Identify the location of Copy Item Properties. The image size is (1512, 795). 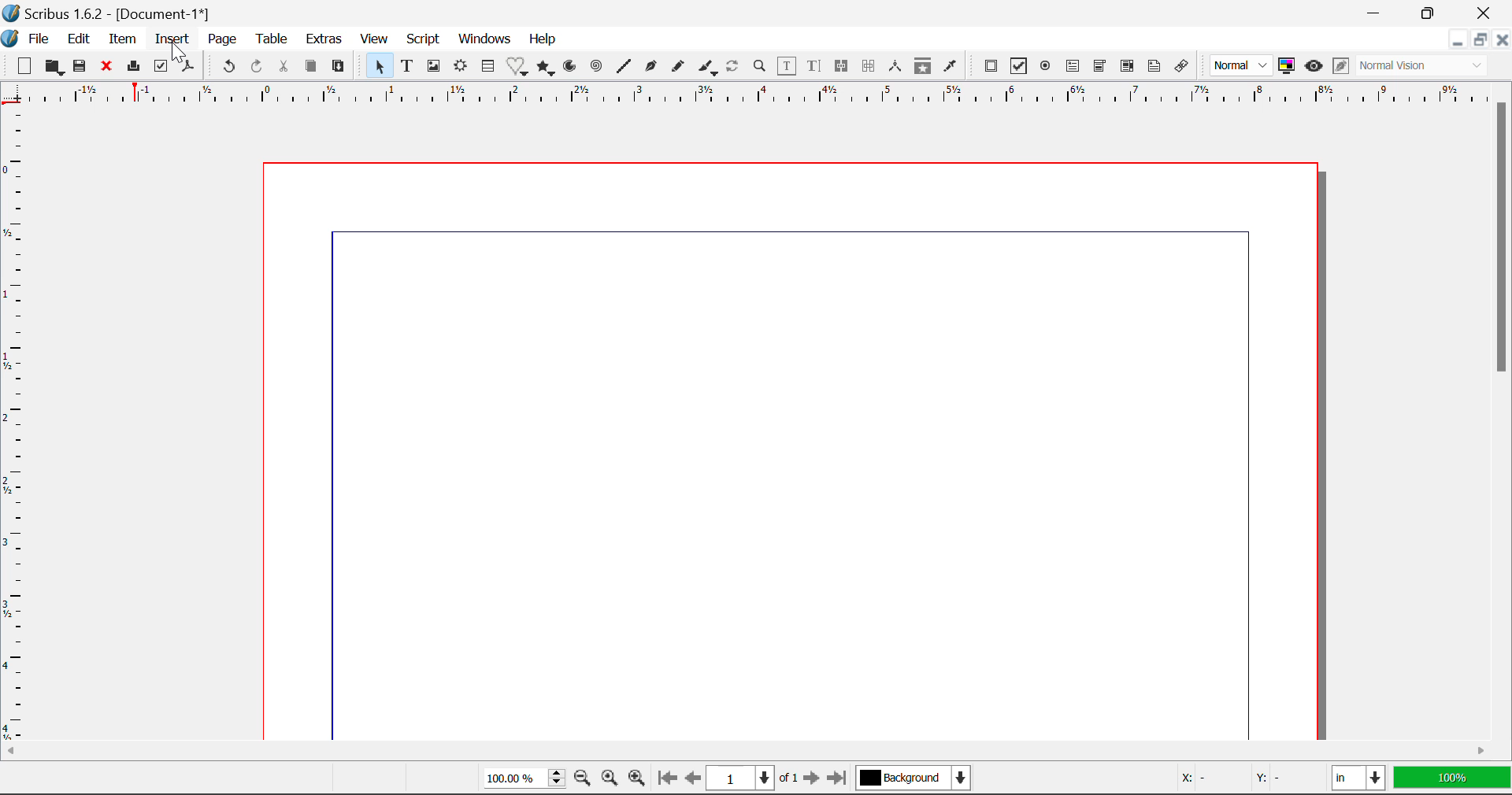
(926, 68).